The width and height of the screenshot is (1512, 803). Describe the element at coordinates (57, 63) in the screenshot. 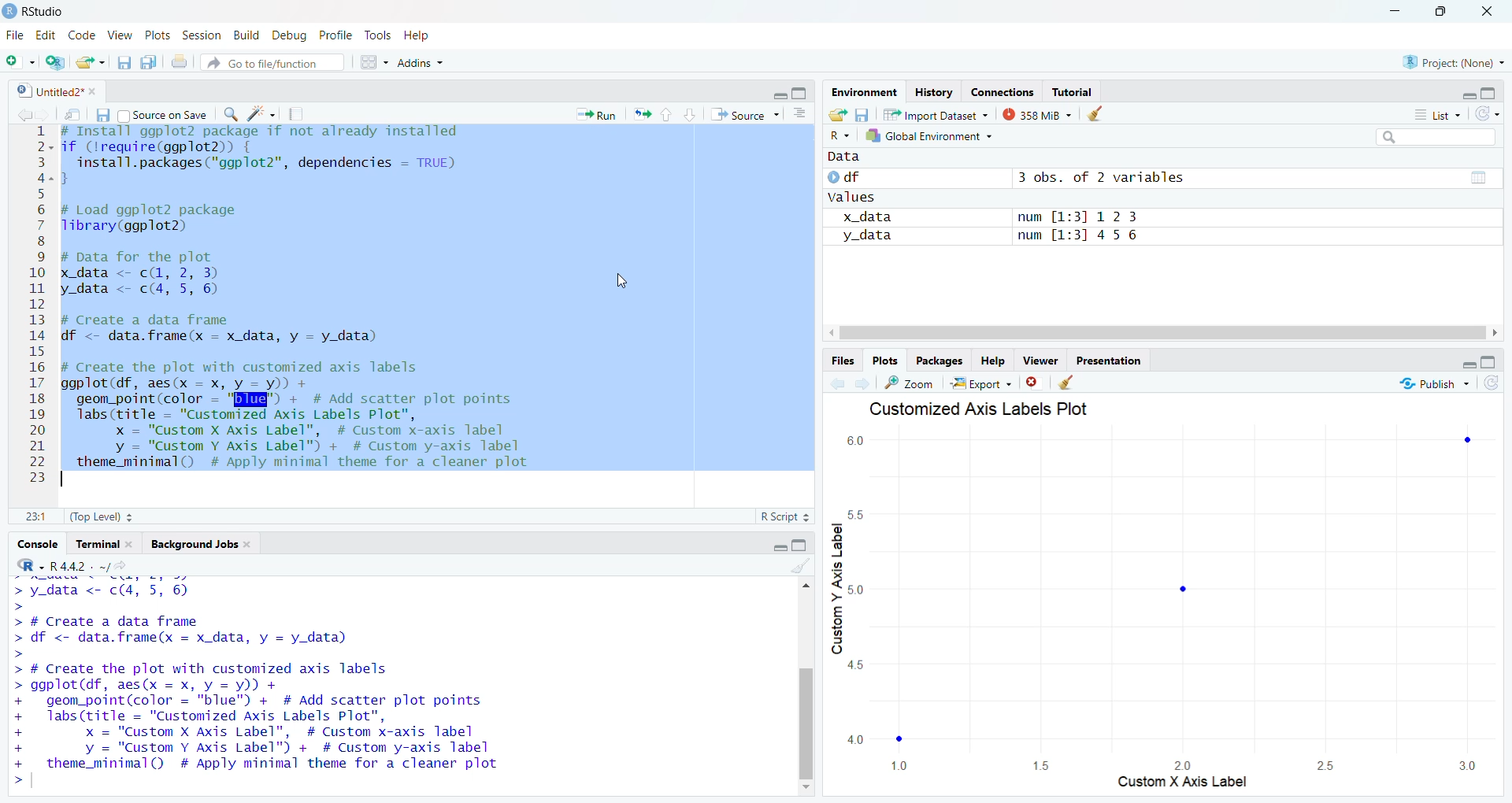

I see `add script` at that location.